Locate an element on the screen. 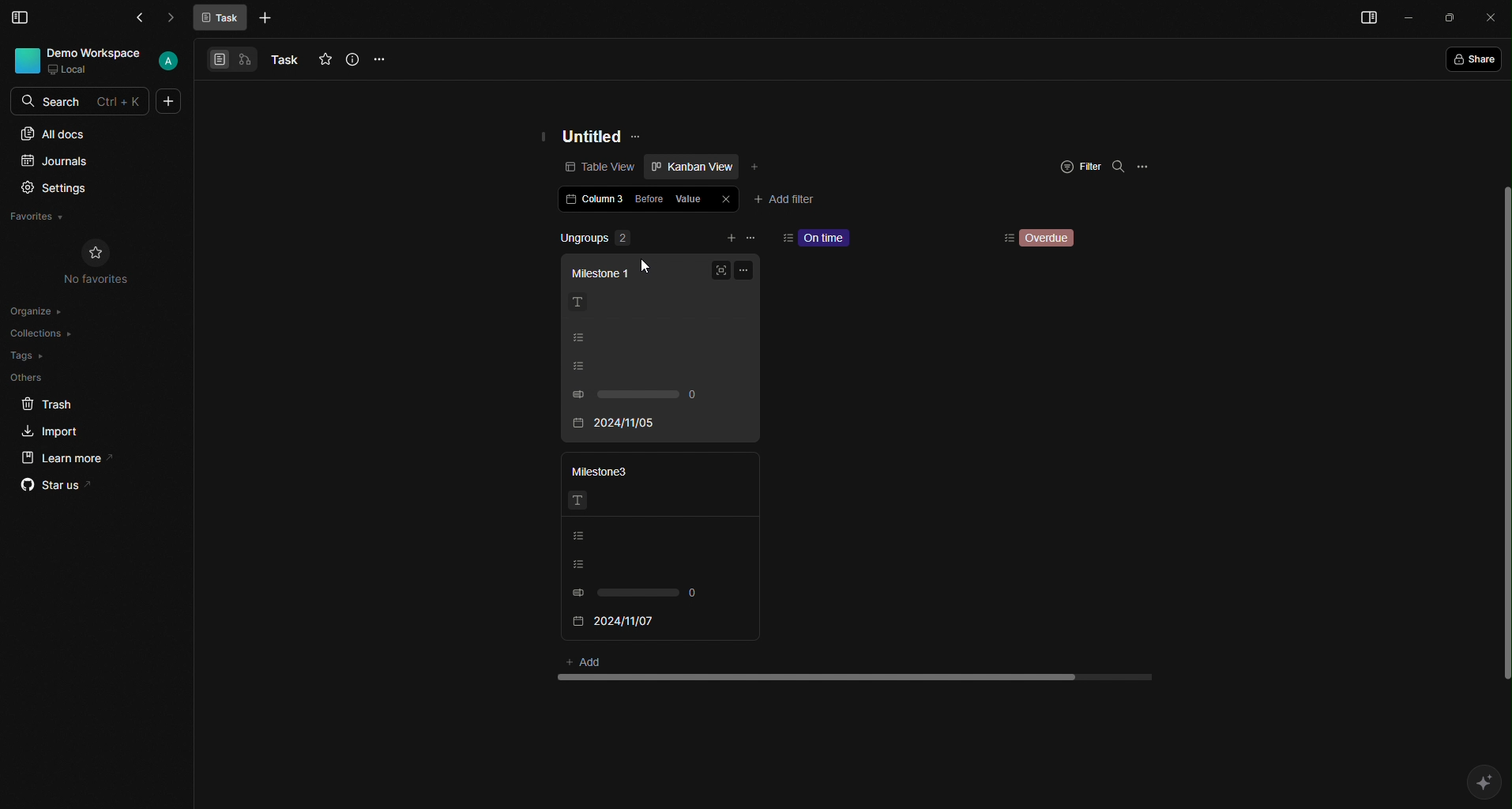  Options is located at coordinates (1143, 167).